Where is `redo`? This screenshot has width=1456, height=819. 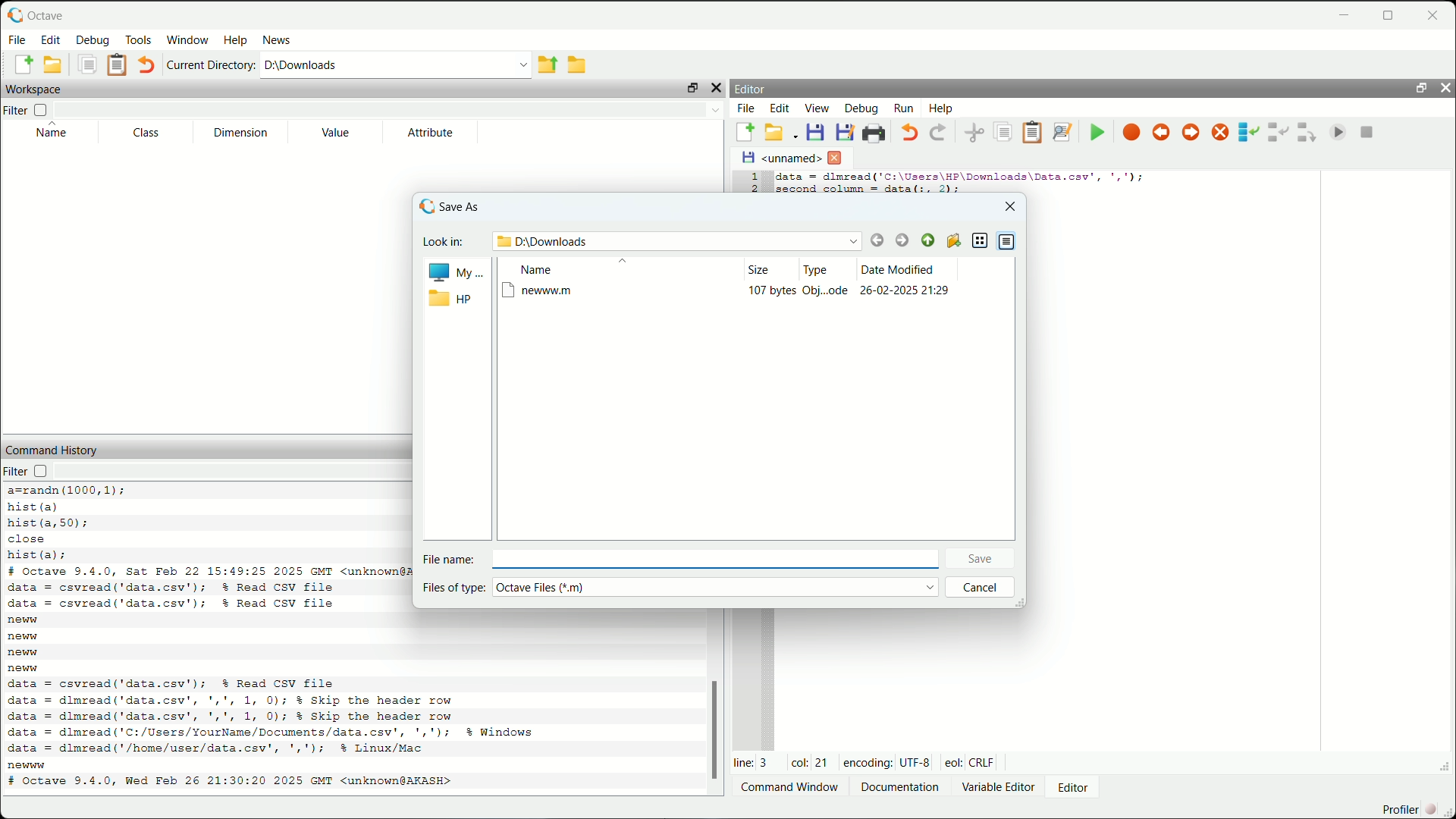
redo is located at coordinates (940, 134).